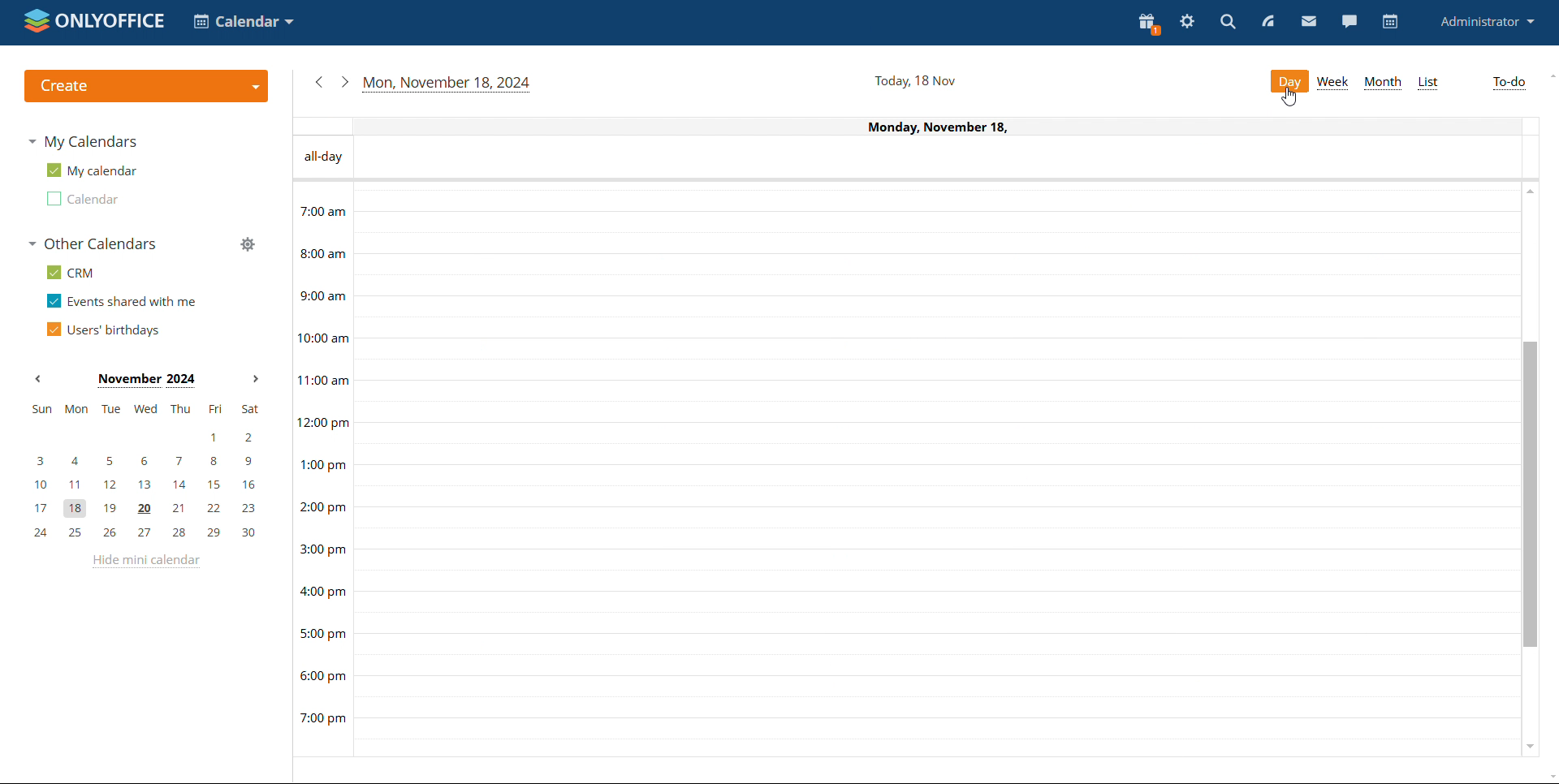 Image resolution: width=1559 pixels, height=784 pixels. I want to click on to-do, so click(1509, 81).